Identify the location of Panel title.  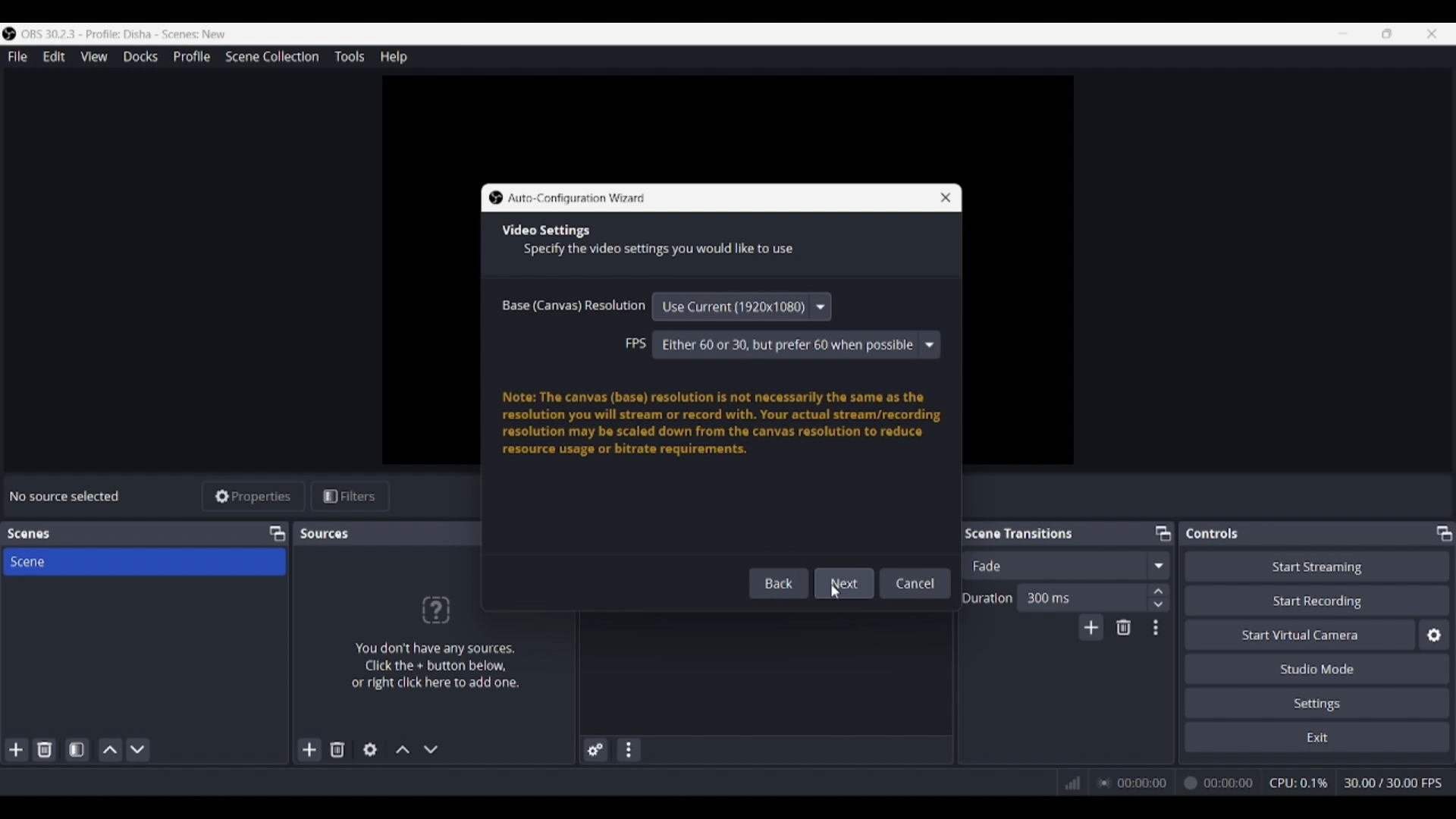
(1213, 533).